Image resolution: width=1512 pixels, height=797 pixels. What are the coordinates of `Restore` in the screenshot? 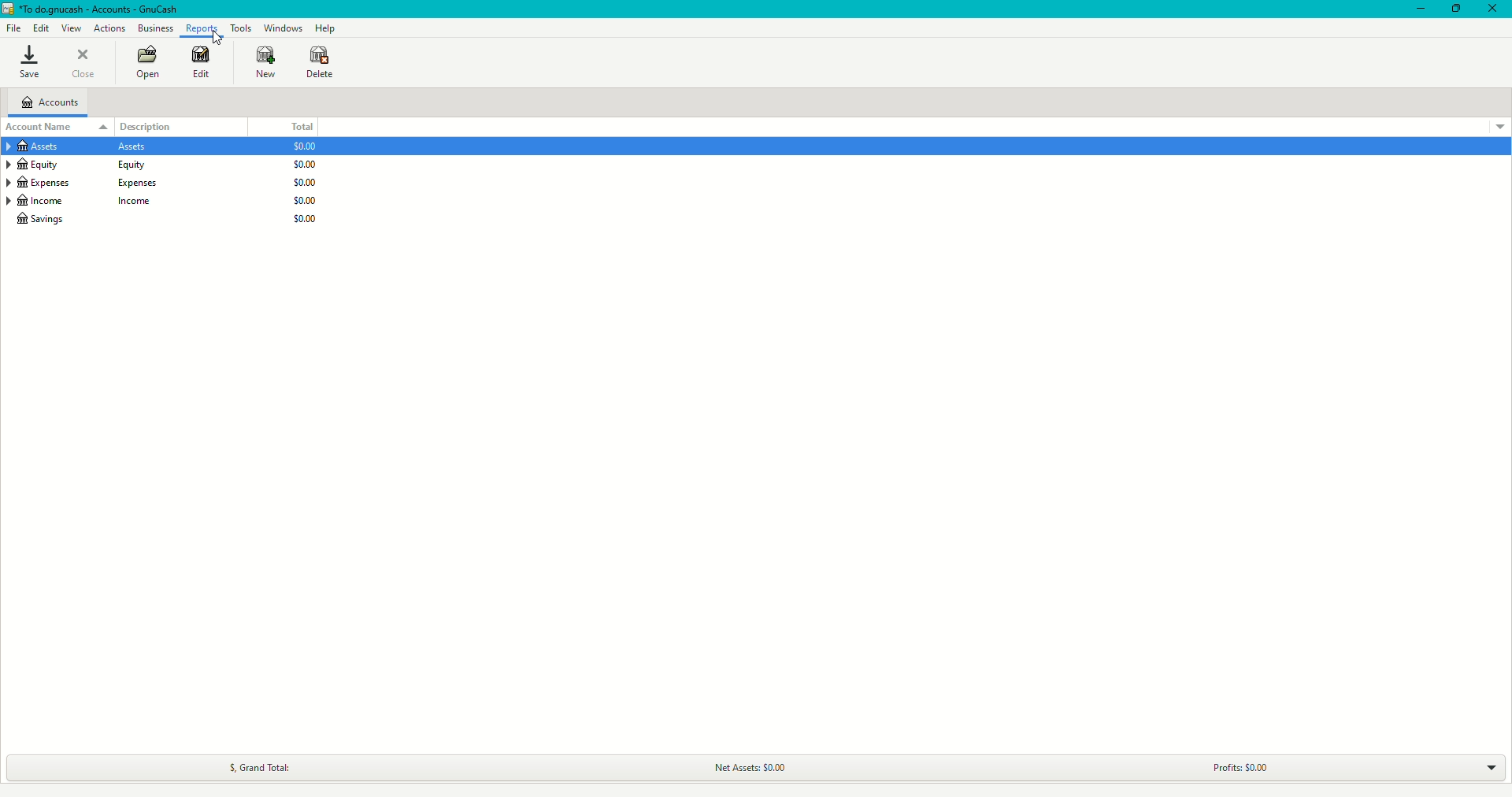 It's located at (1452, 11).